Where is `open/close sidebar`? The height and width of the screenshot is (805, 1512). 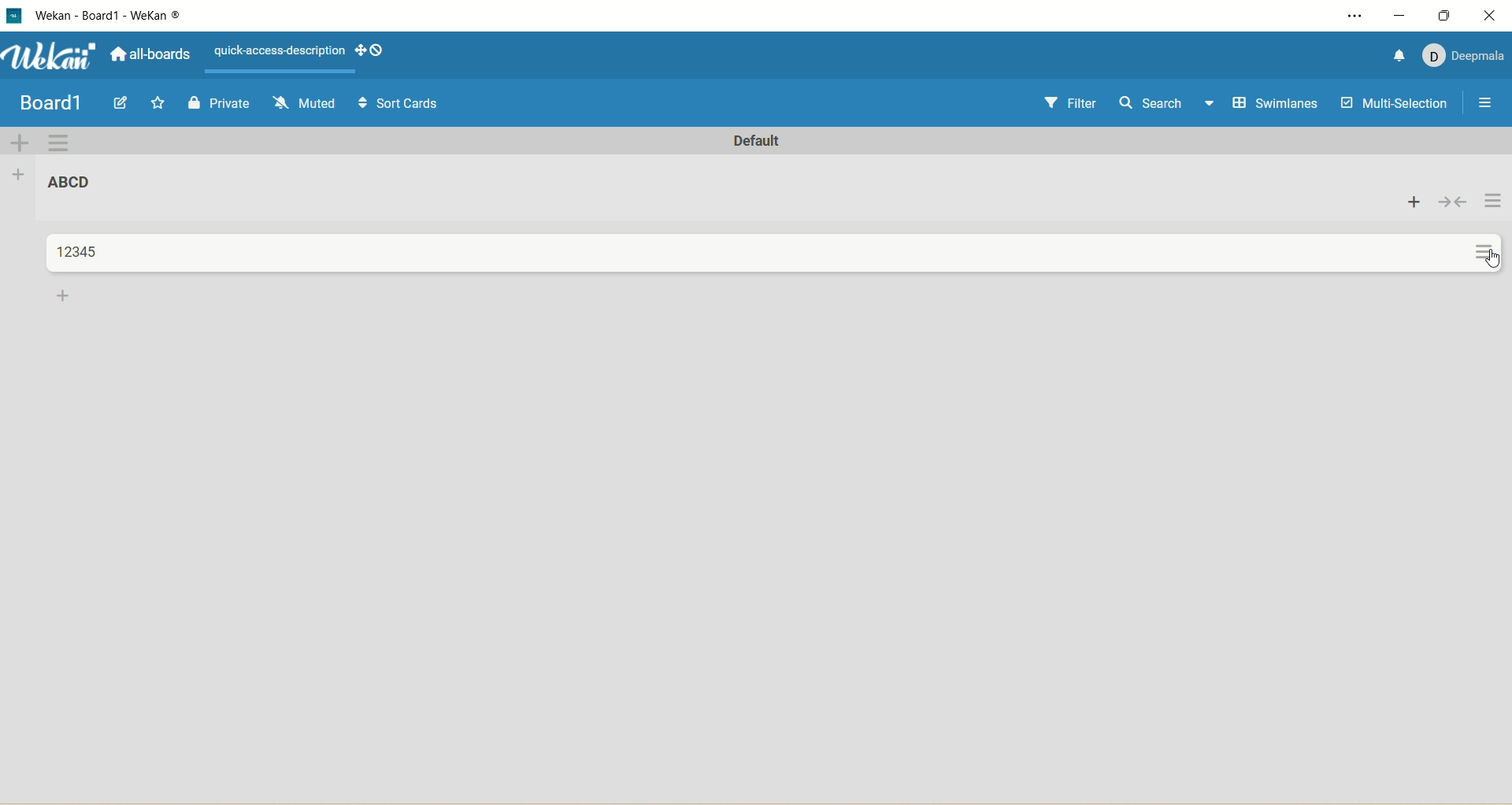 open/close sidebar is located at coordinates (1488, 106).